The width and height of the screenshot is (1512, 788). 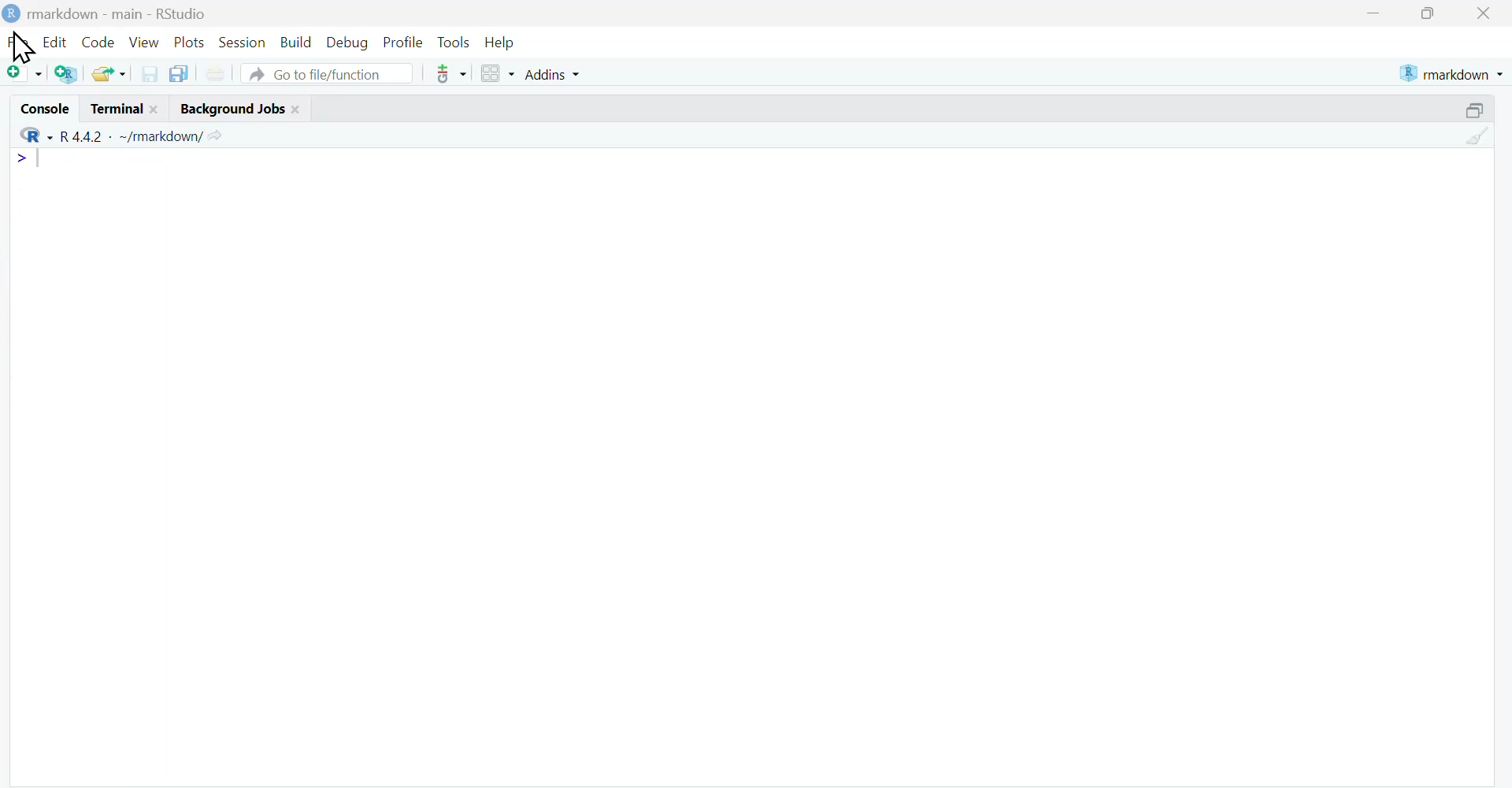 What do you see at coordinates (128, 136) in the screenshot?
I see `R language version - R 4.4.1` at bounding box center [128, 136].